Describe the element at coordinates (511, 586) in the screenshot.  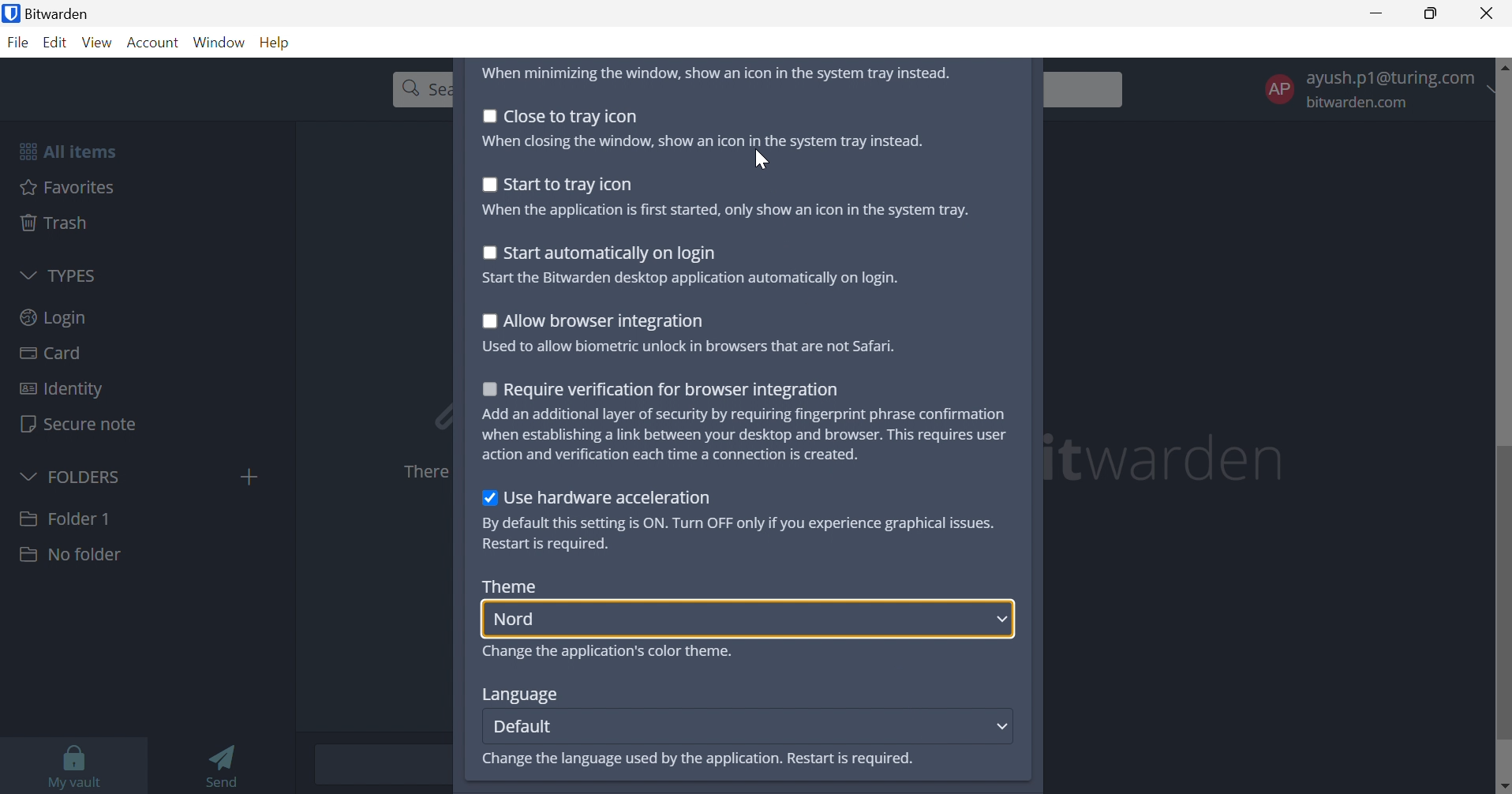
I see `Theme` at that location.